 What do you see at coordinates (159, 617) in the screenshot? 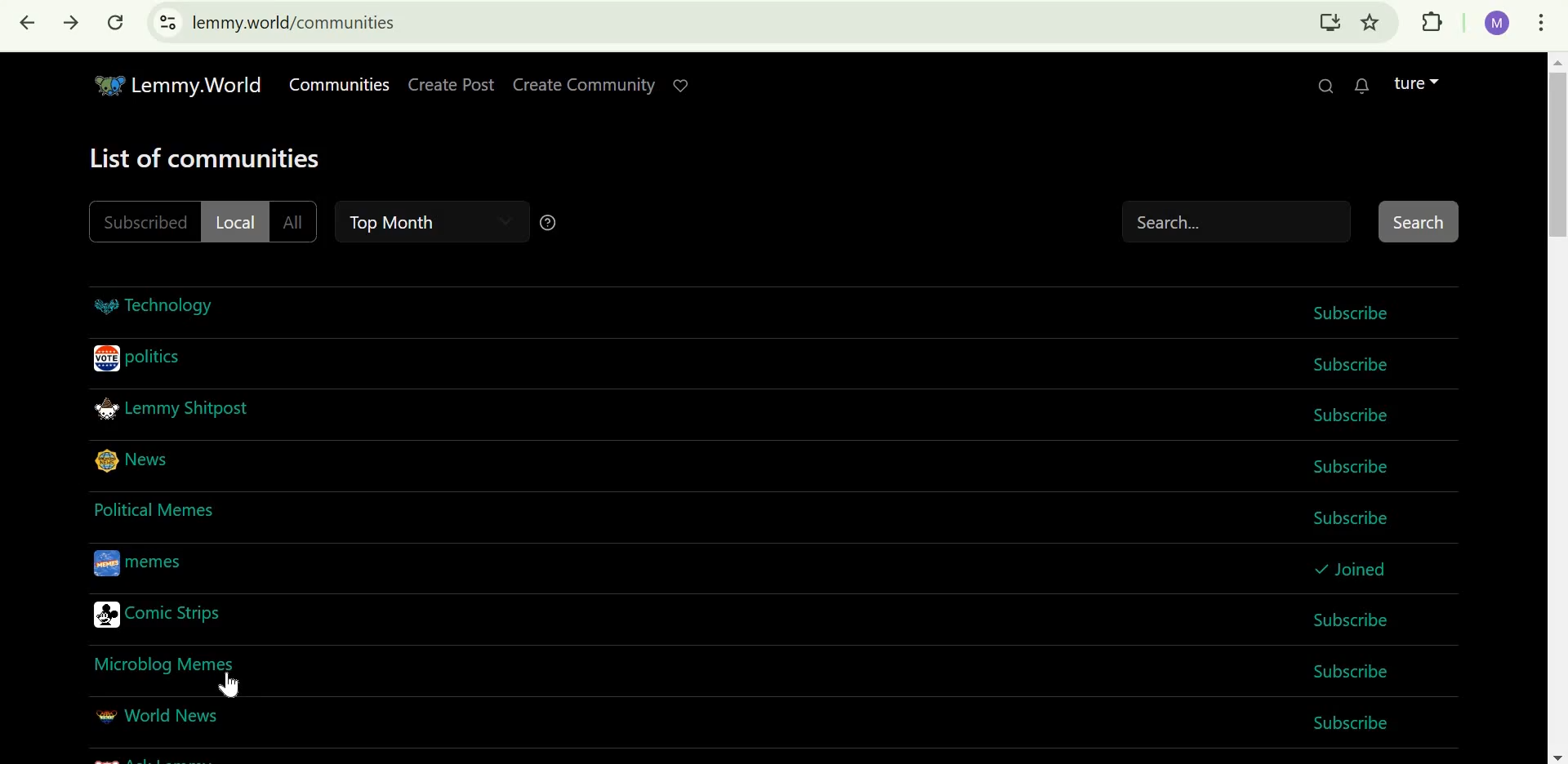
I see `comic strips` at bounding box center [159, 617].